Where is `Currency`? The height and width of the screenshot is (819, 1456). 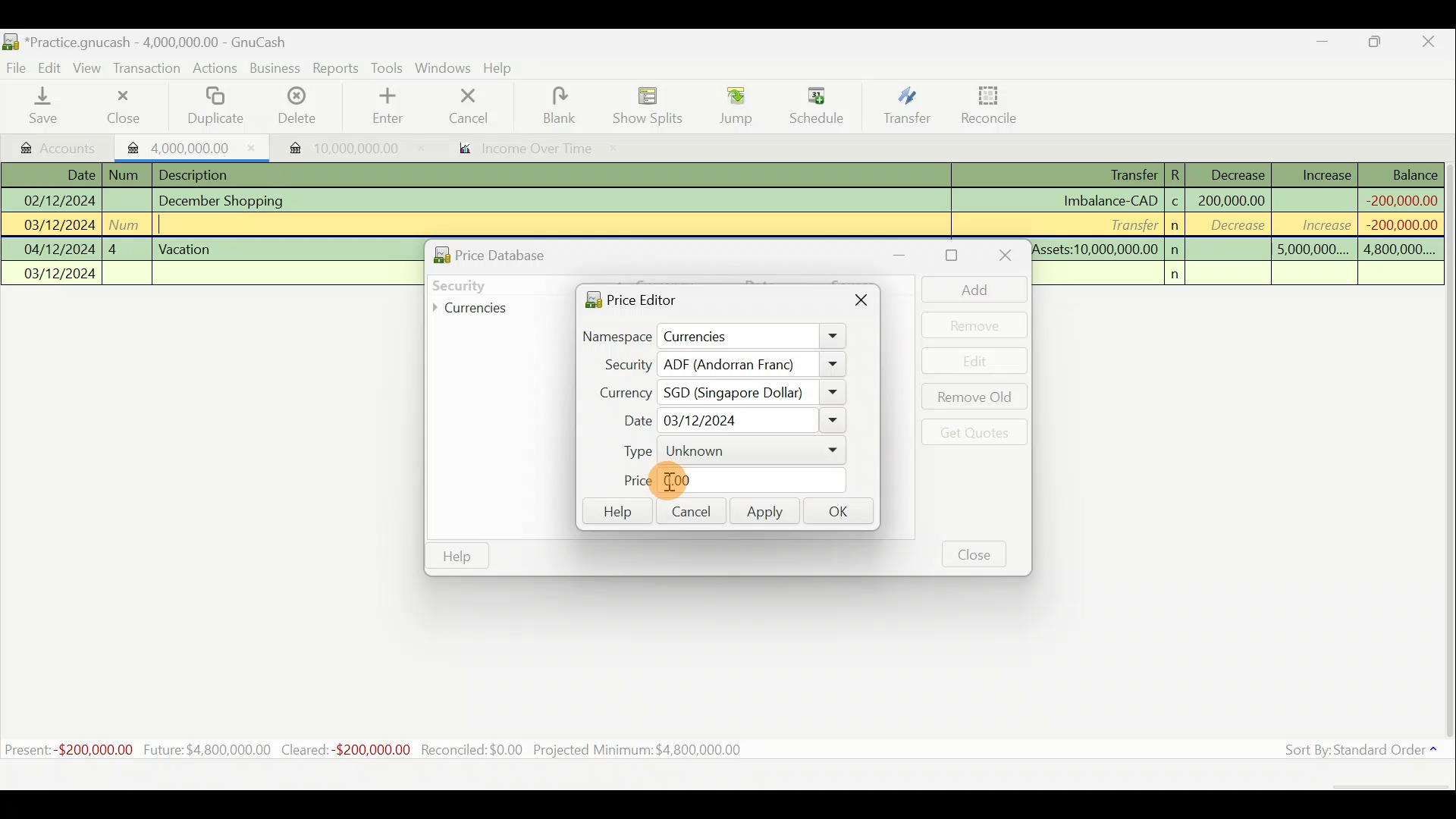
Currency is located at coordinates (617, 391).